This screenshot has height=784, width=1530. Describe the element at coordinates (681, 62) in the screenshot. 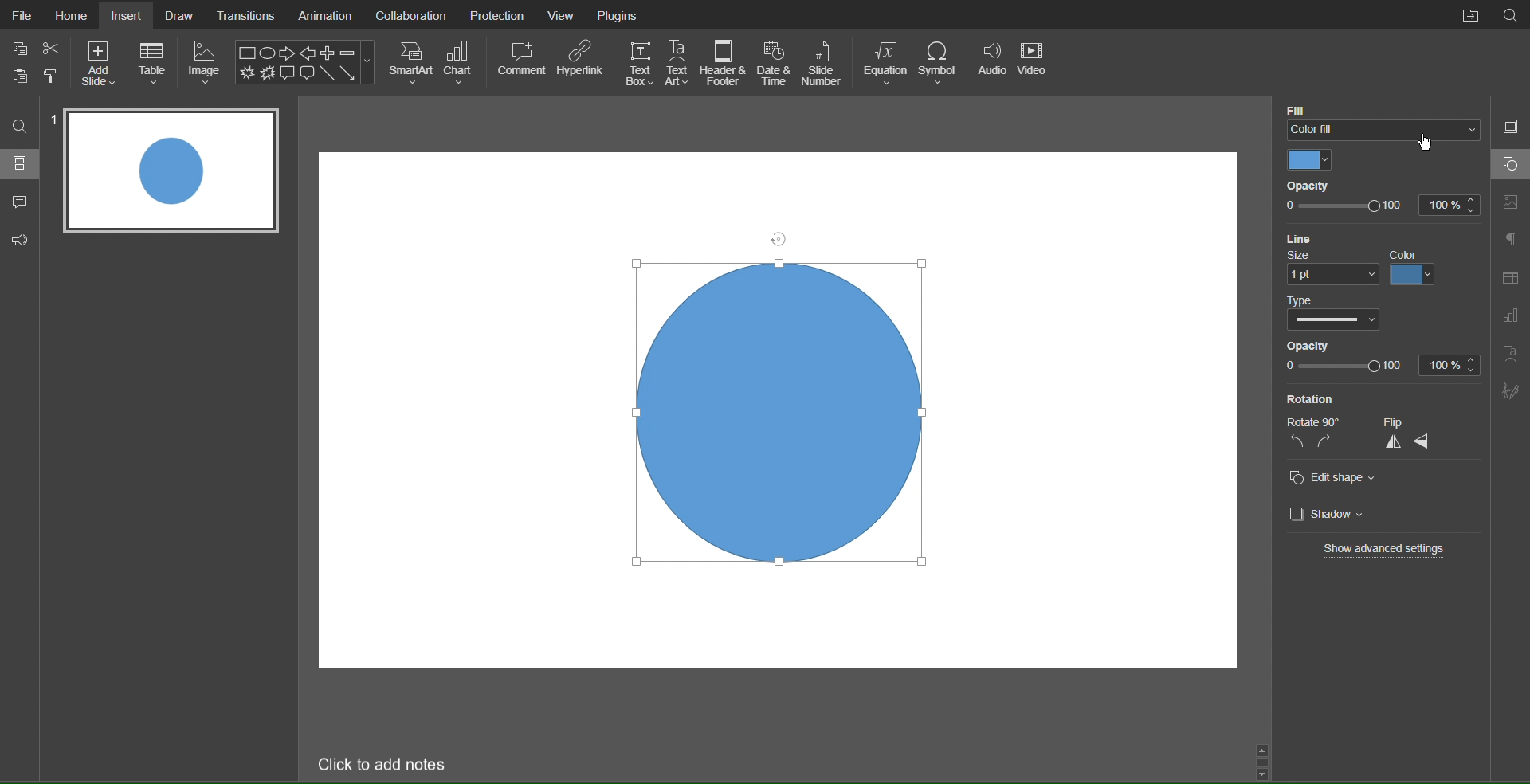

I see `Text Art` at that location.